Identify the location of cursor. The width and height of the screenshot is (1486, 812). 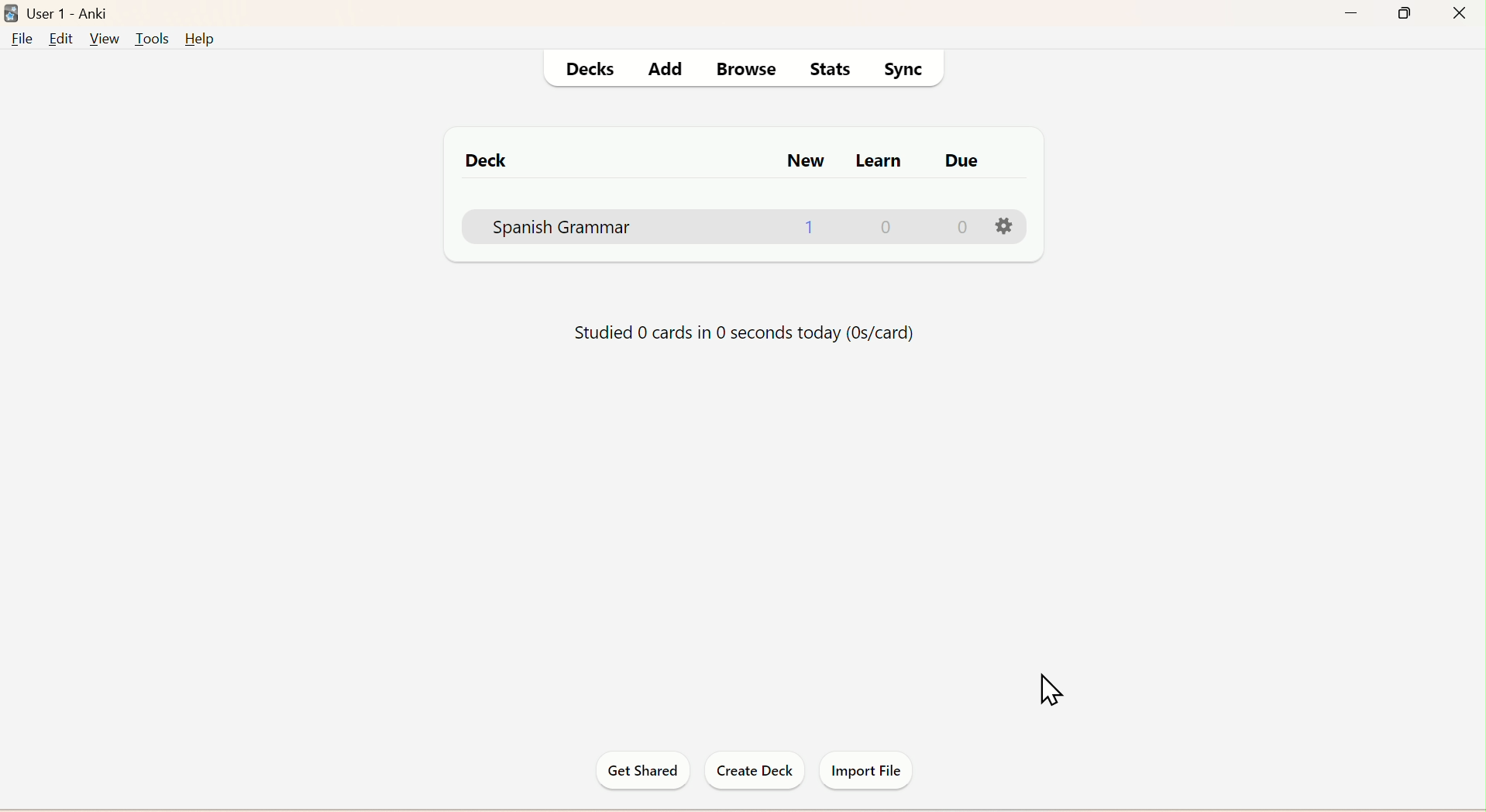
(1052, 688).